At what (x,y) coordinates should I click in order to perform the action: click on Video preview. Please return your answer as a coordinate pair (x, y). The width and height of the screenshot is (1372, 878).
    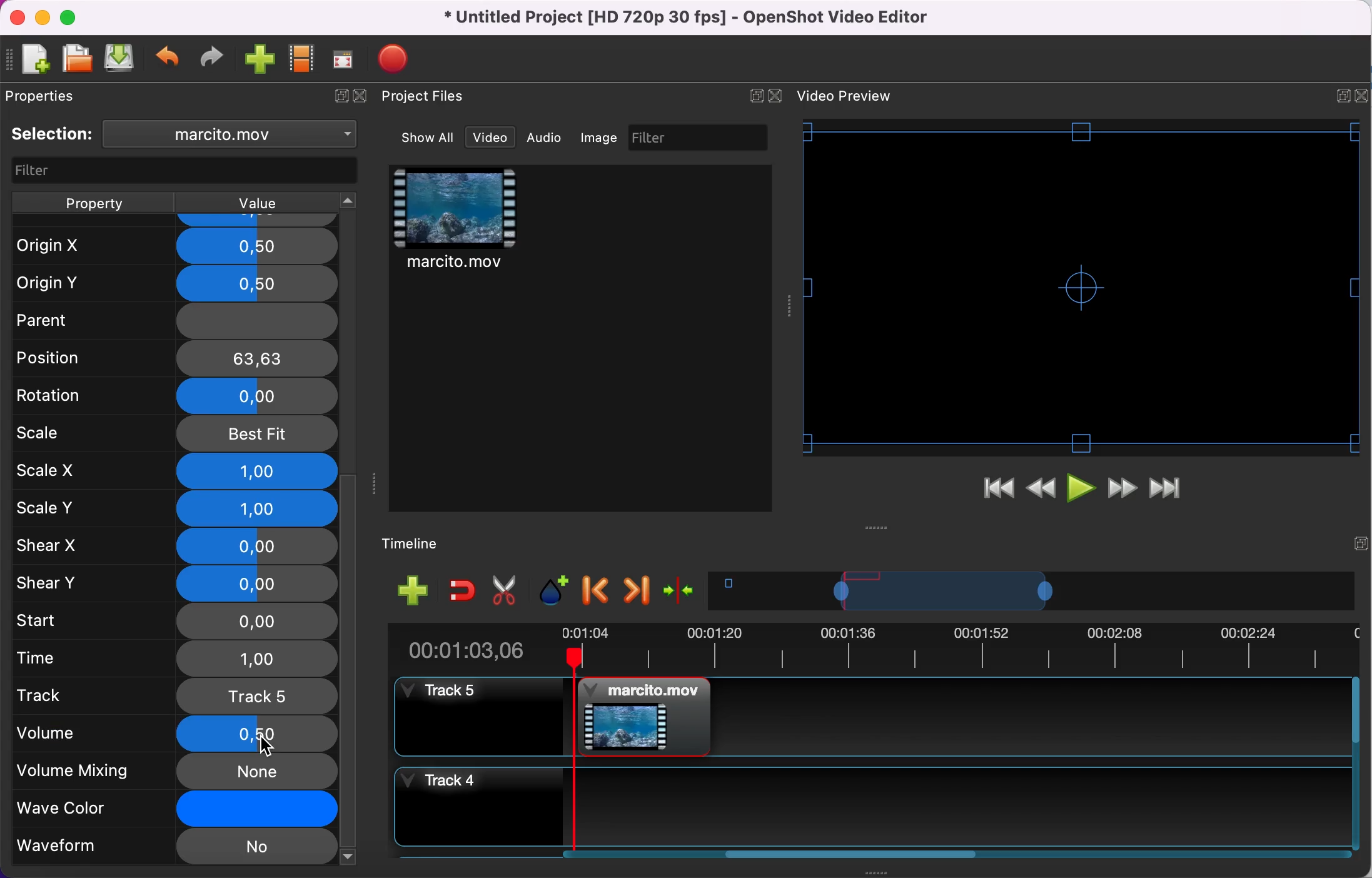
    Looking at the image, I should click on (1081, 287).